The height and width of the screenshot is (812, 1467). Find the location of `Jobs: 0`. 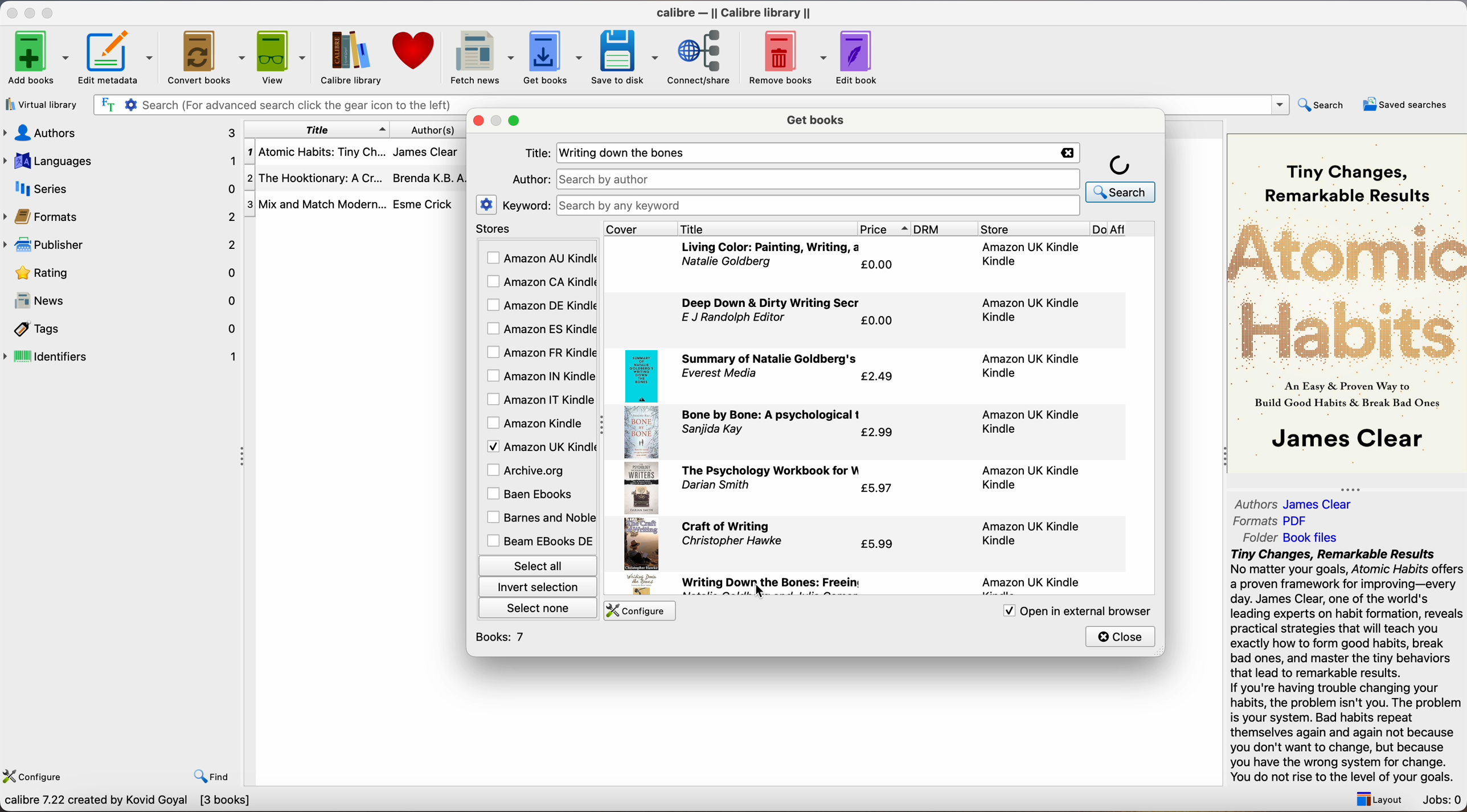

Jobs: 0 is located at coordinates (1443, 801).